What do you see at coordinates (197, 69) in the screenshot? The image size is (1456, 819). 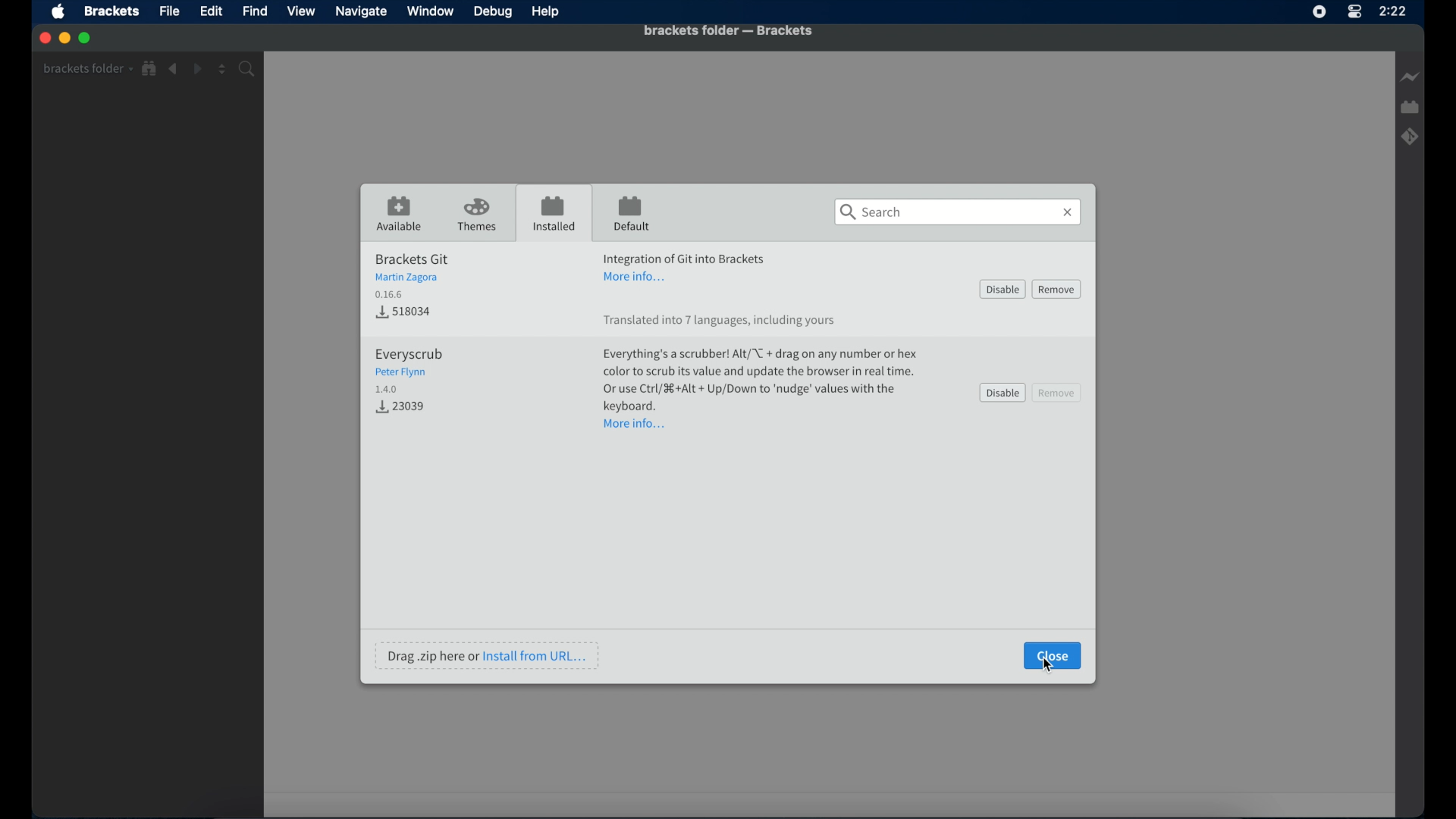 I see `forward` at bounding box center [197, 69].